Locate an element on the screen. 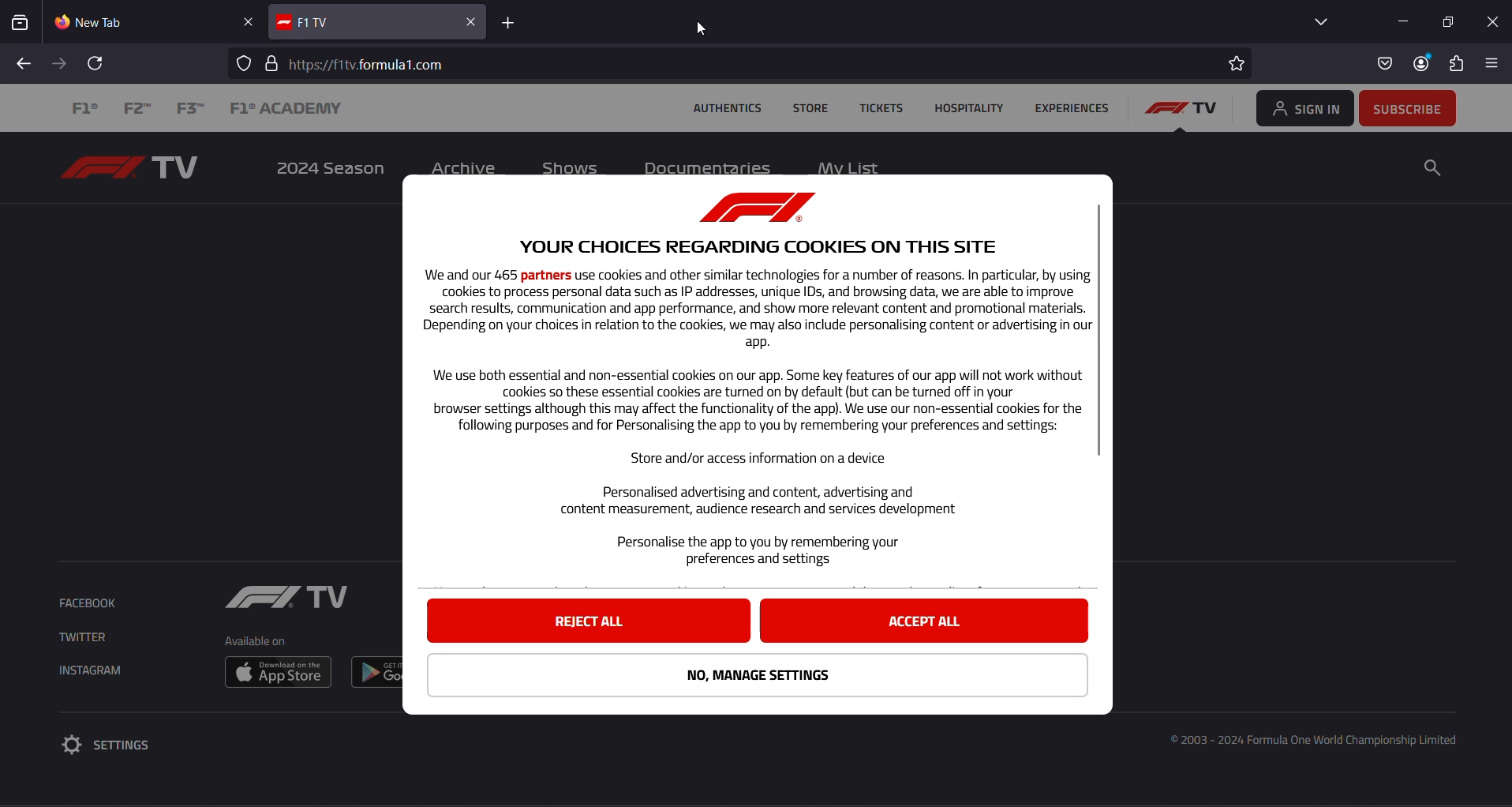 The width and height of the screenshot is (1512, 807). close tab is located at coordinates (248, 21).